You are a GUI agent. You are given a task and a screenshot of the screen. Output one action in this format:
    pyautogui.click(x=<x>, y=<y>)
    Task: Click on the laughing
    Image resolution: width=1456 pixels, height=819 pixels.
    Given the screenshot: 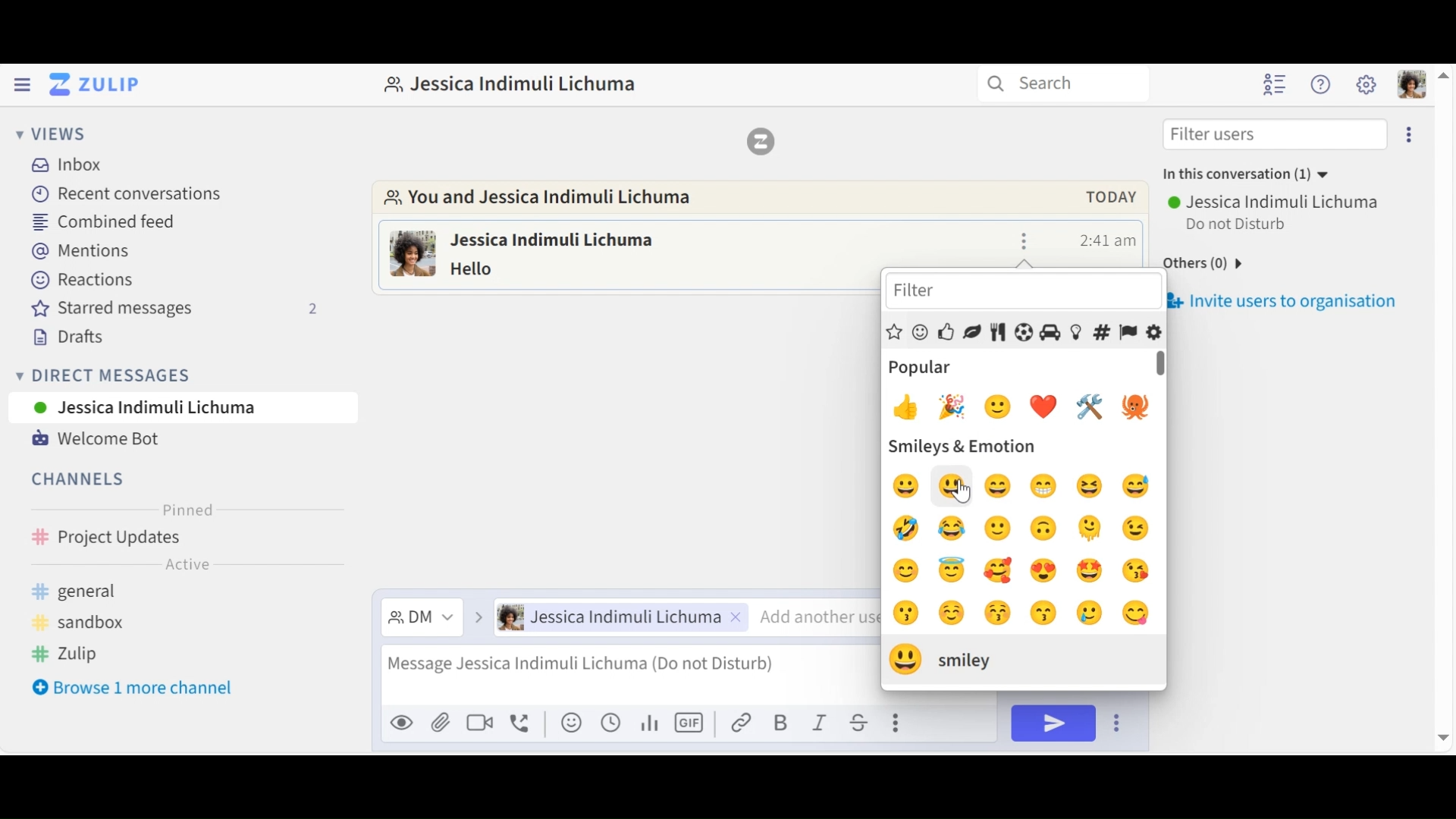 What is the action you would take?
    pyautogui.click(x=1093, y=486)
    